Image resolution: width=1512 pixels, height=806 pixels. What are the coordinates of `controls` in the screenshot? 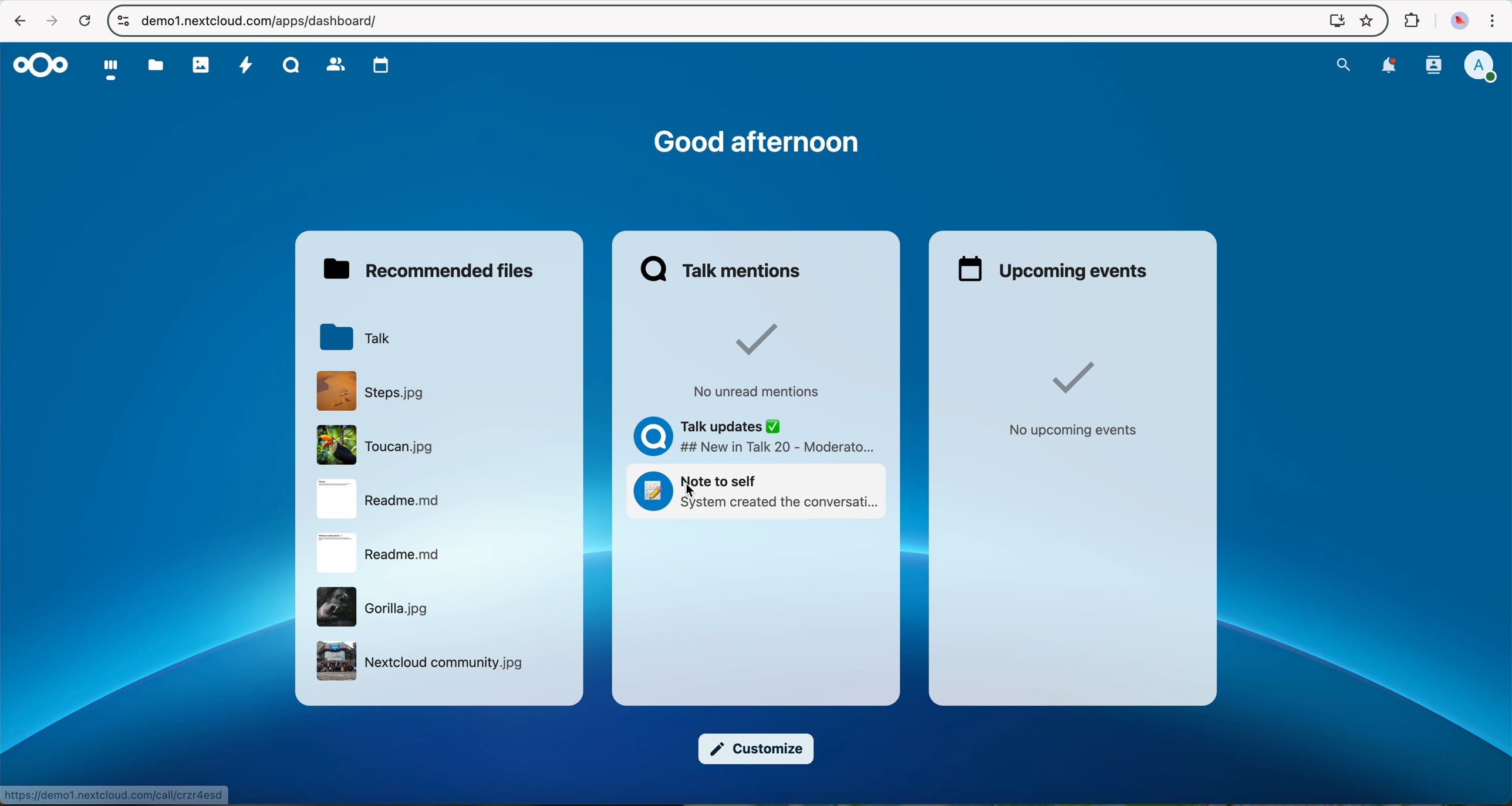 It's located at (121, 19).